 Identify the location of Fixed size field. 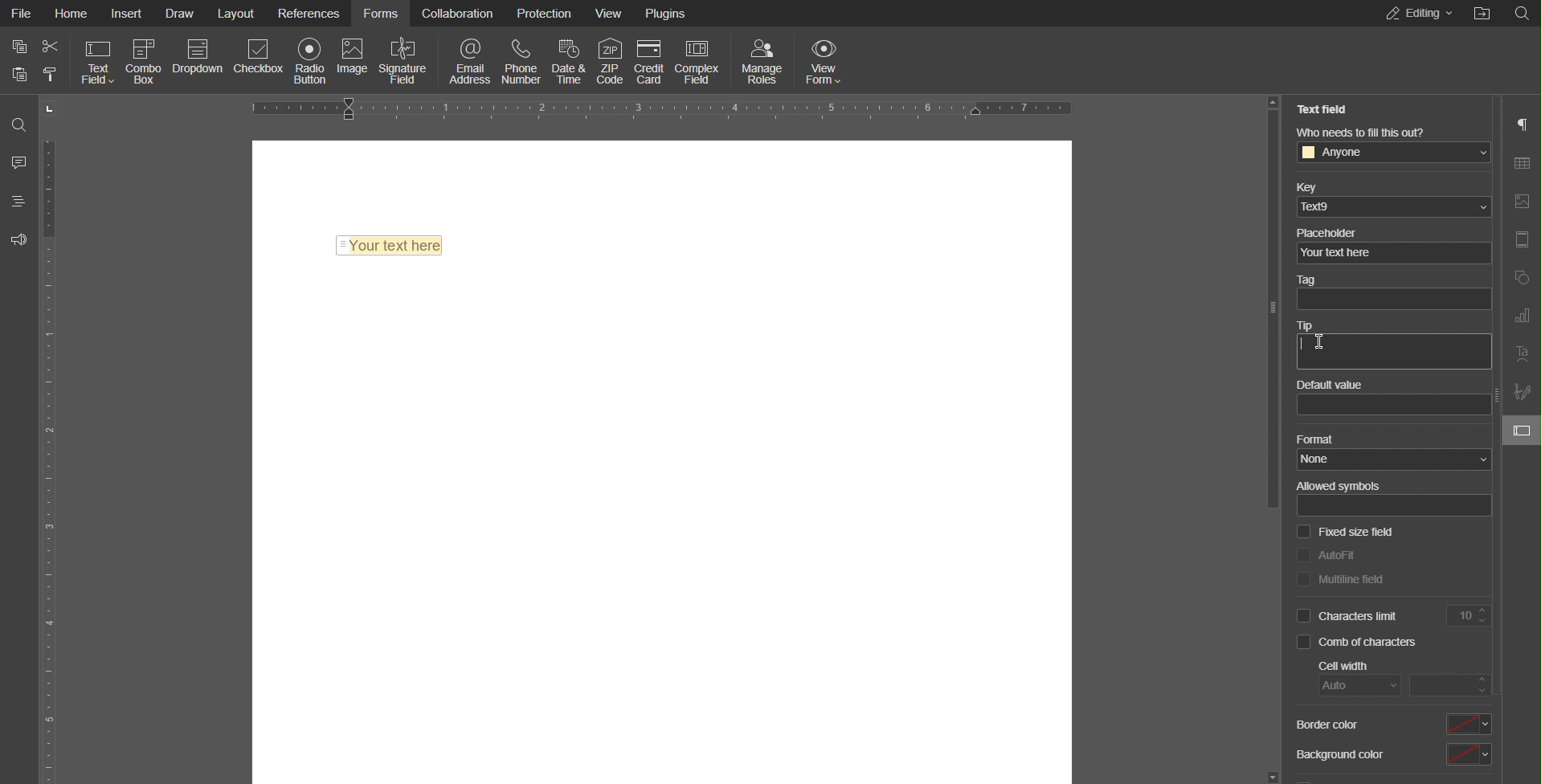
(1359, 532).